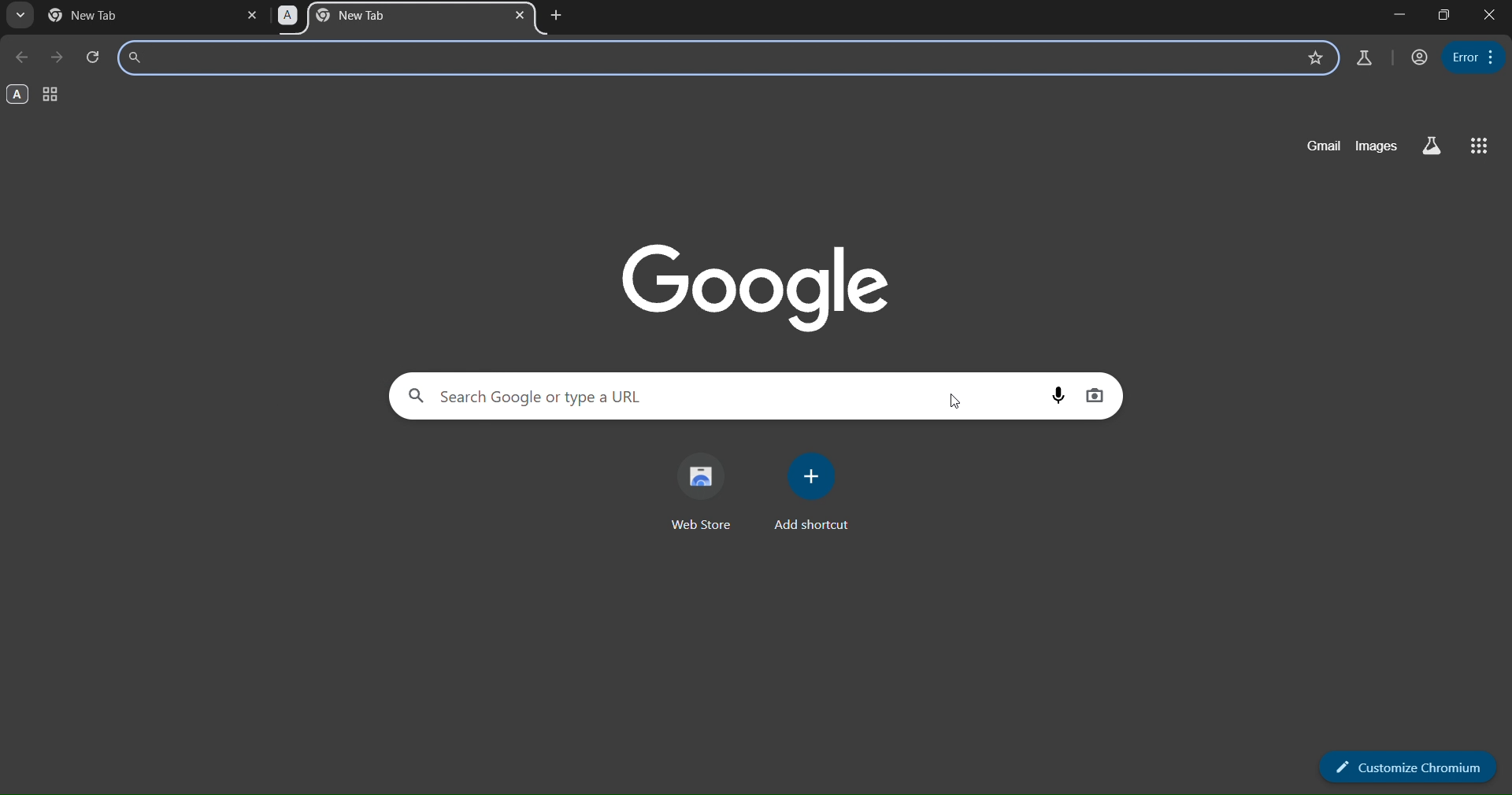 The height and width of the screenshot is (795, 1512). What do you see at coordinates (47, 94) in the screenshot?
I see `tab group` at bounding box center [47, 94].